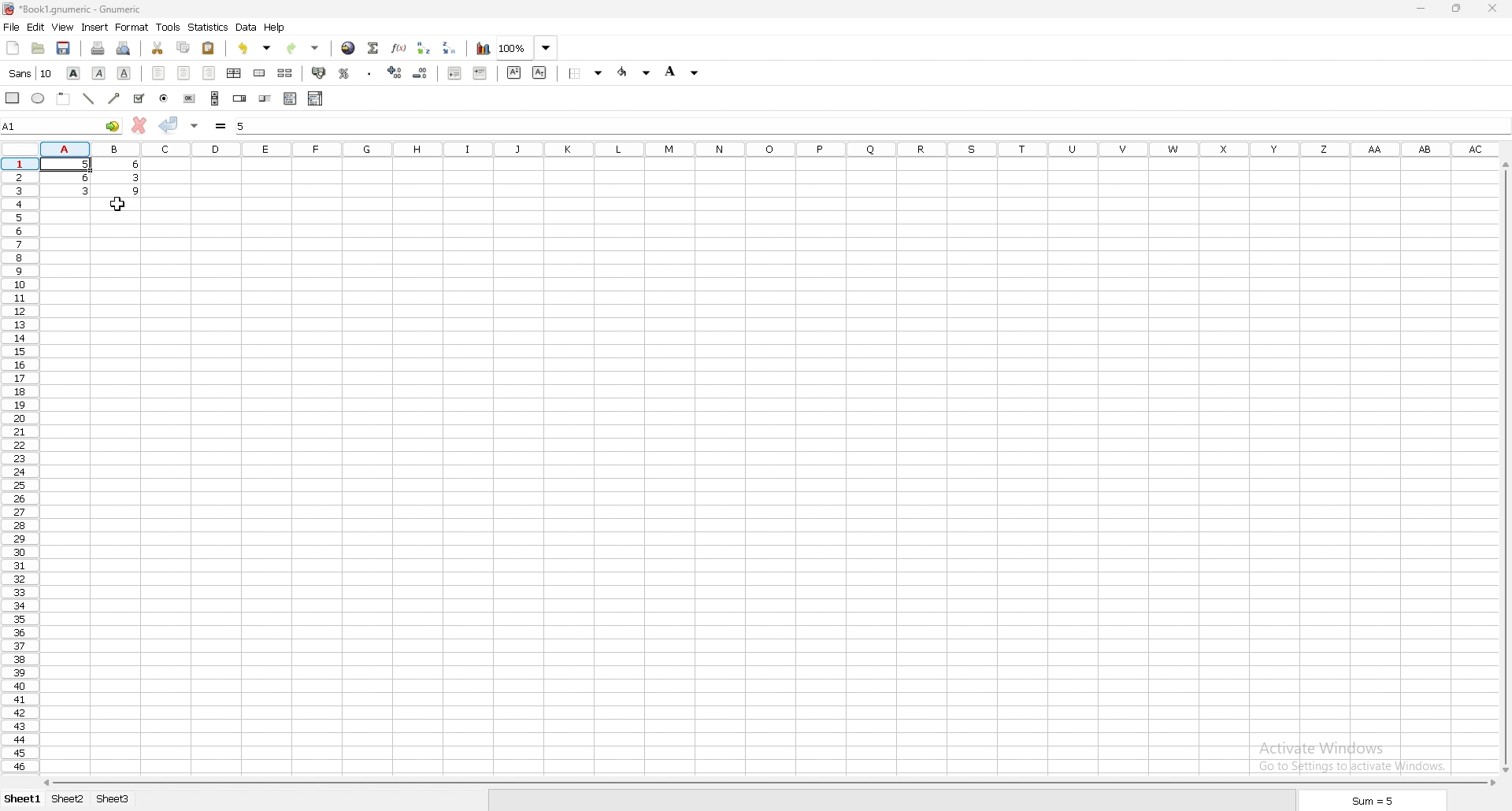 The image size is (1512, 811). I want to click on undo, so click(254, 49).